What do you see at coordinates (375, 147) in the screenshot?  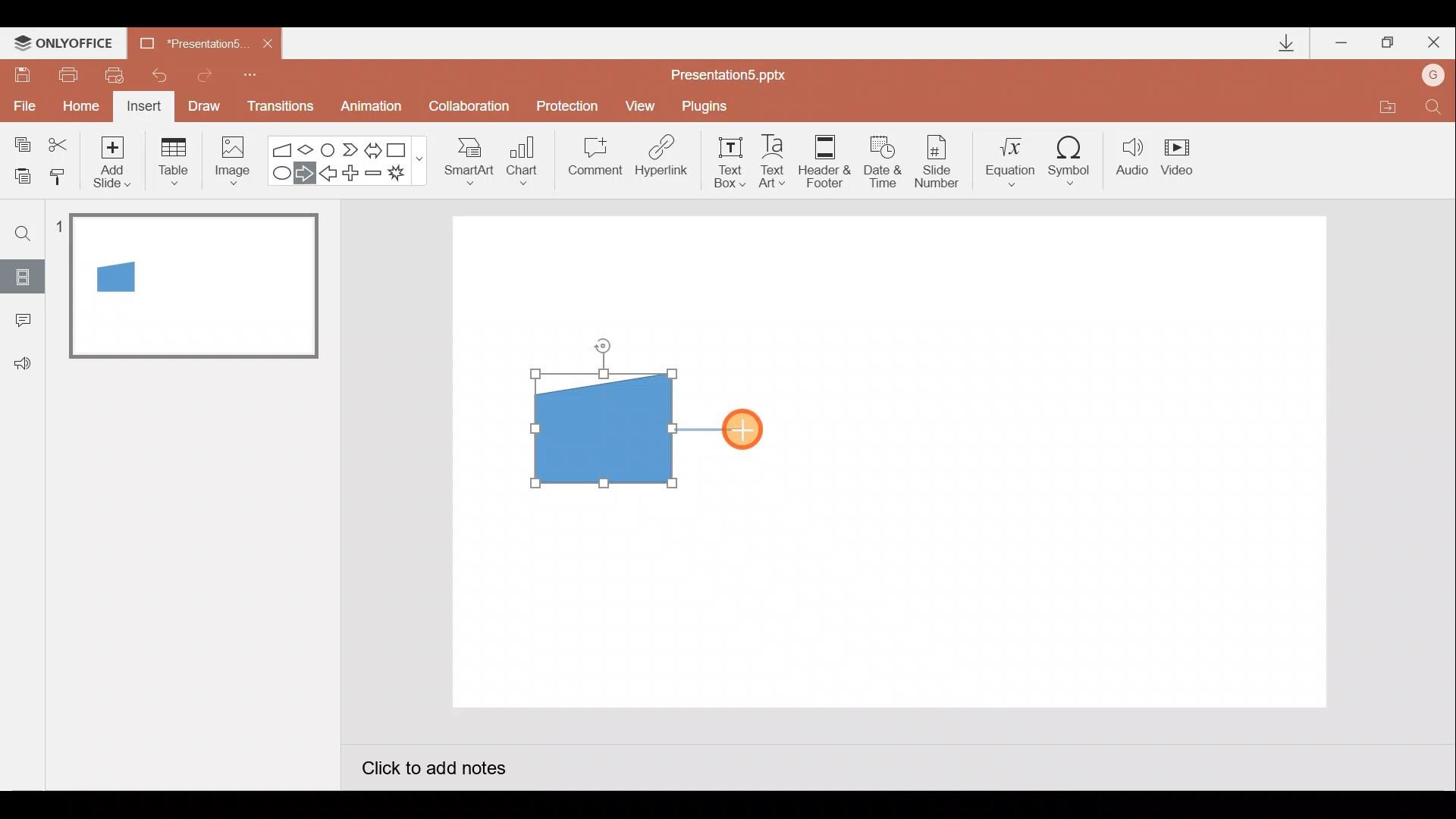 I see `Left right arrow` at bounding box center [375, 147].